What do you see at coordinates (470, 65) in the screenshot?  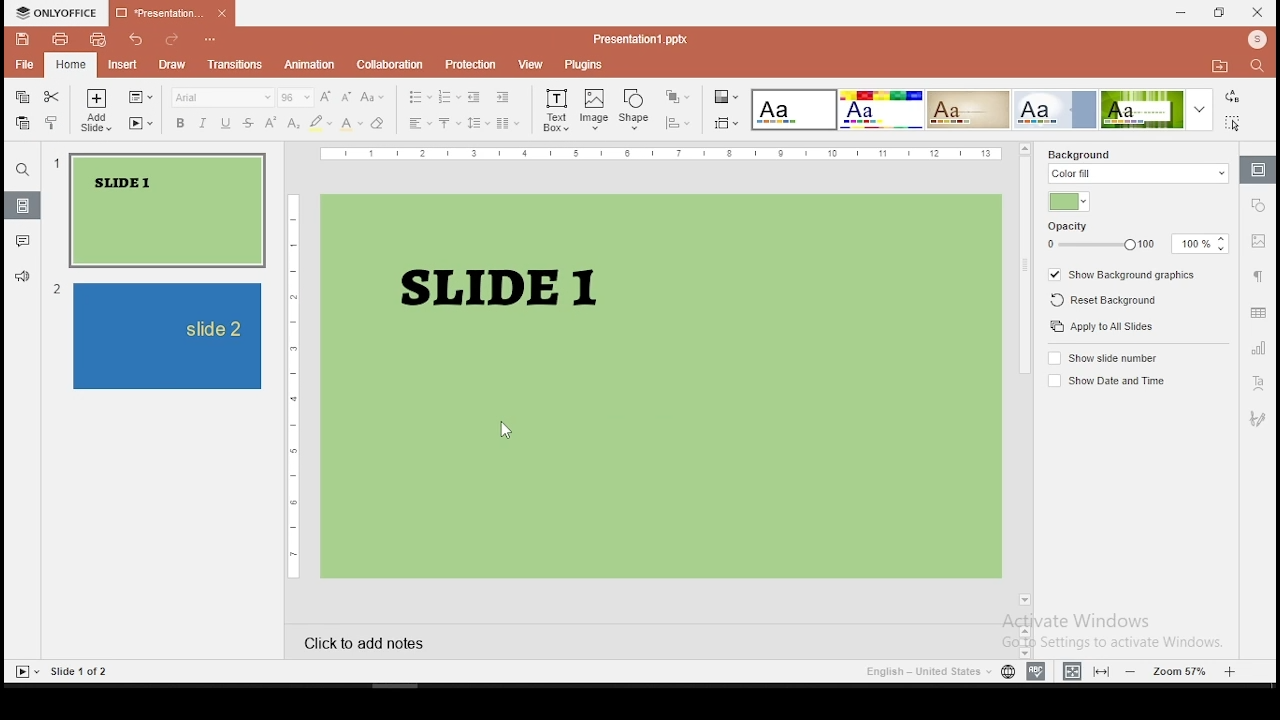 I see `protection` at bounding box center [470, 65].